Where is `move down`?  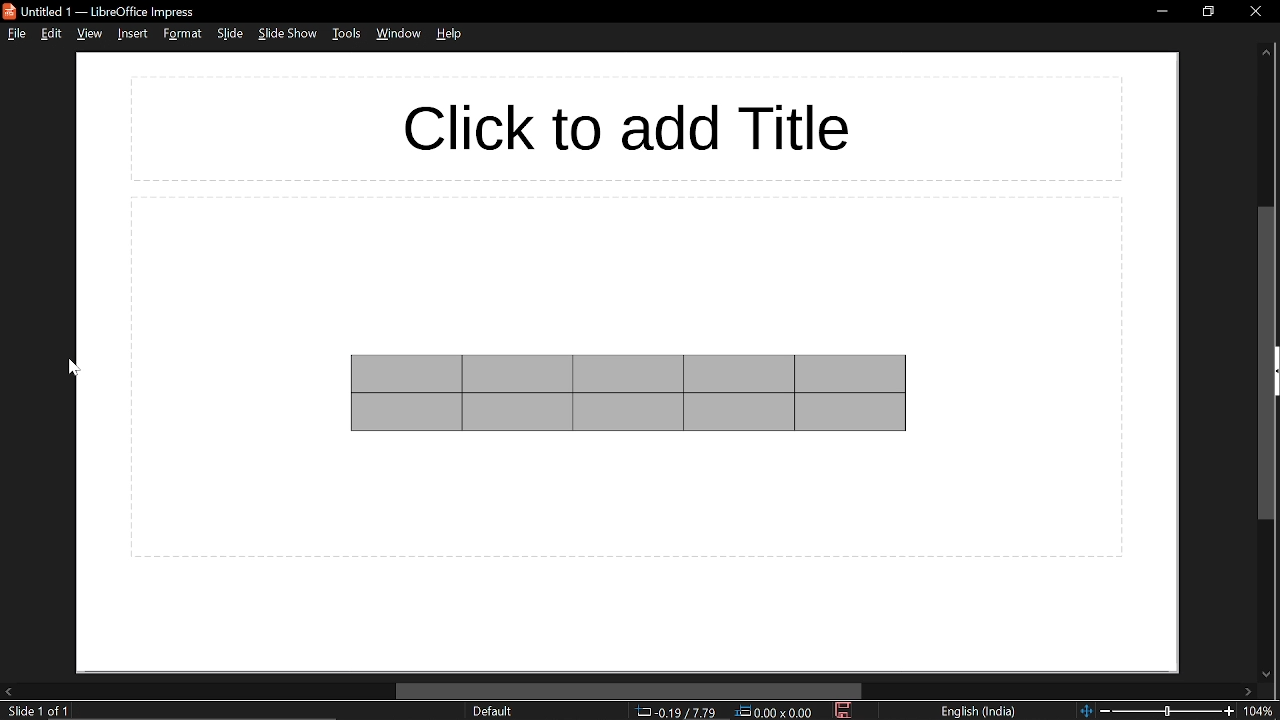 move down is located at coordinates (1263, 674).